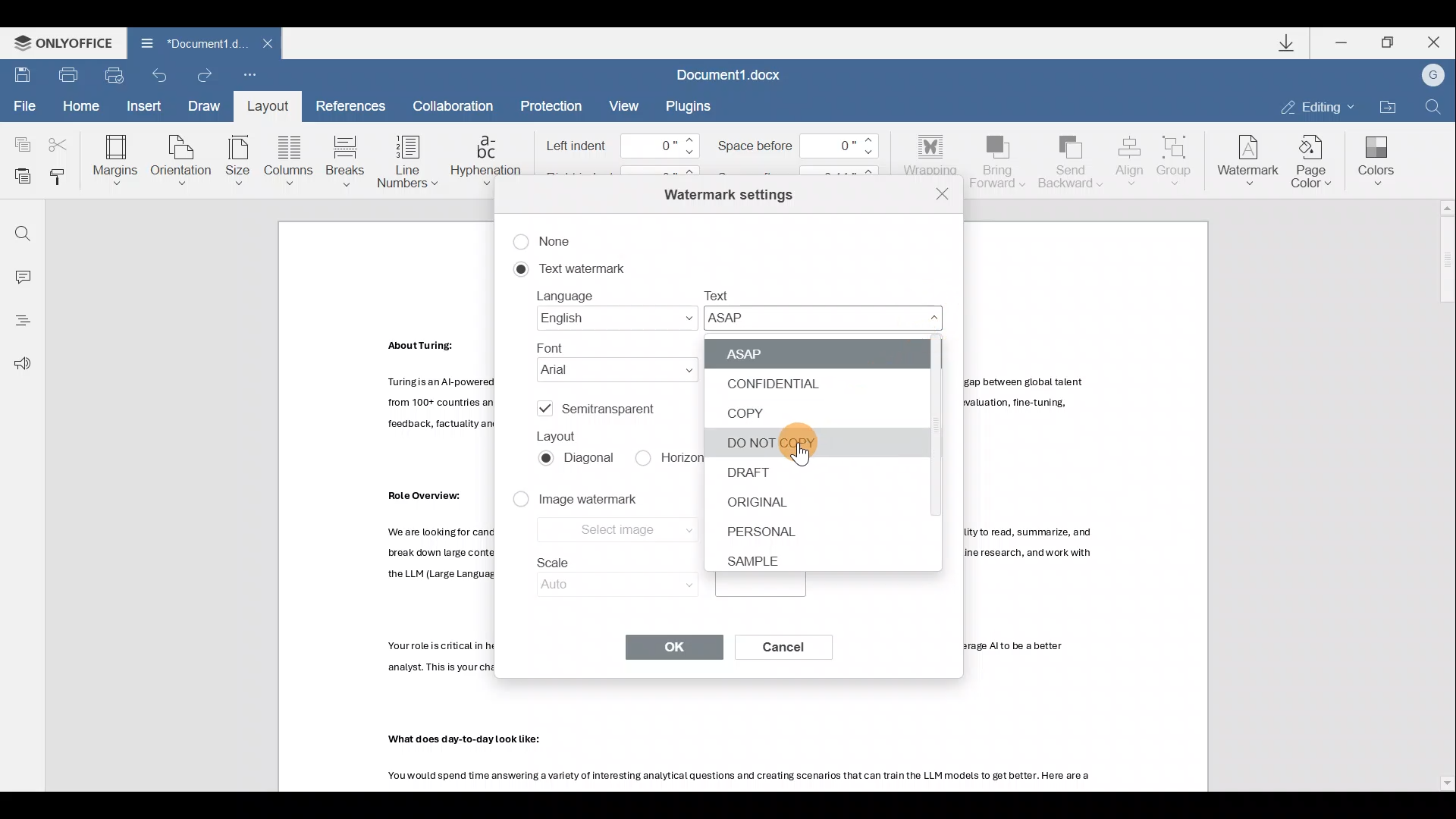 Image resolution: width=1456 pixels, height=819 pixels. What do you see at coordinates (761, 472) in the screenshot?
I see `DRAFT` at bounding box center [761, 472].